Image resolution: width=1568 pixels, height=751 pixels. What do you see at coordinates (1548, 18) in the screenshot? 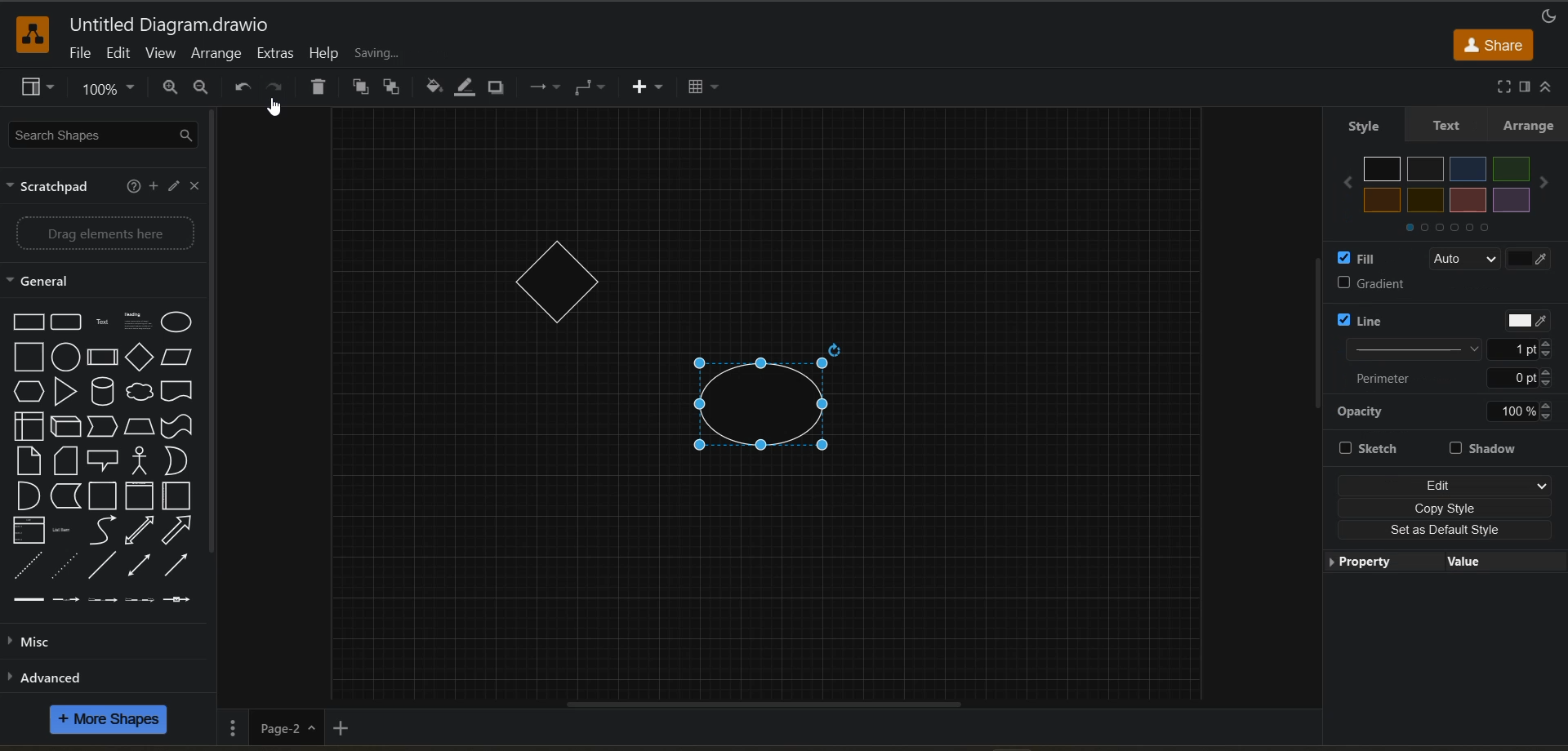
I see `appearance` at bounding box center [1548, 18].